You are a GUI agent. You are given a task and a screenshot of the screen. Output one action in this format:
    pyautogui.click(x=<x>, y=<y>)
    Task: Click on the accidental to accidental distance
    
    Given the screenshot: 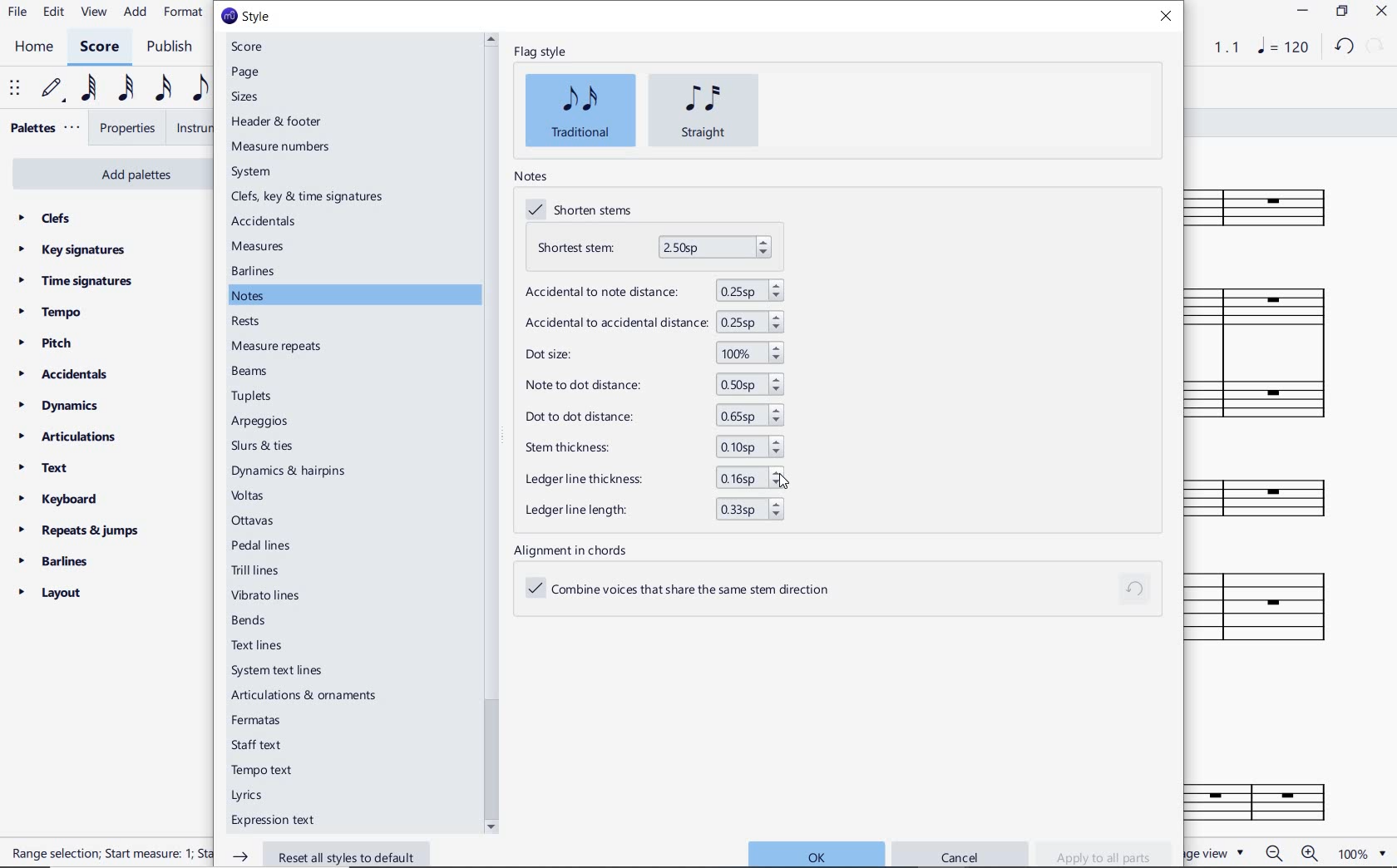 What is the action you would take?
    pyautogui.click(x=653, y=322)
    